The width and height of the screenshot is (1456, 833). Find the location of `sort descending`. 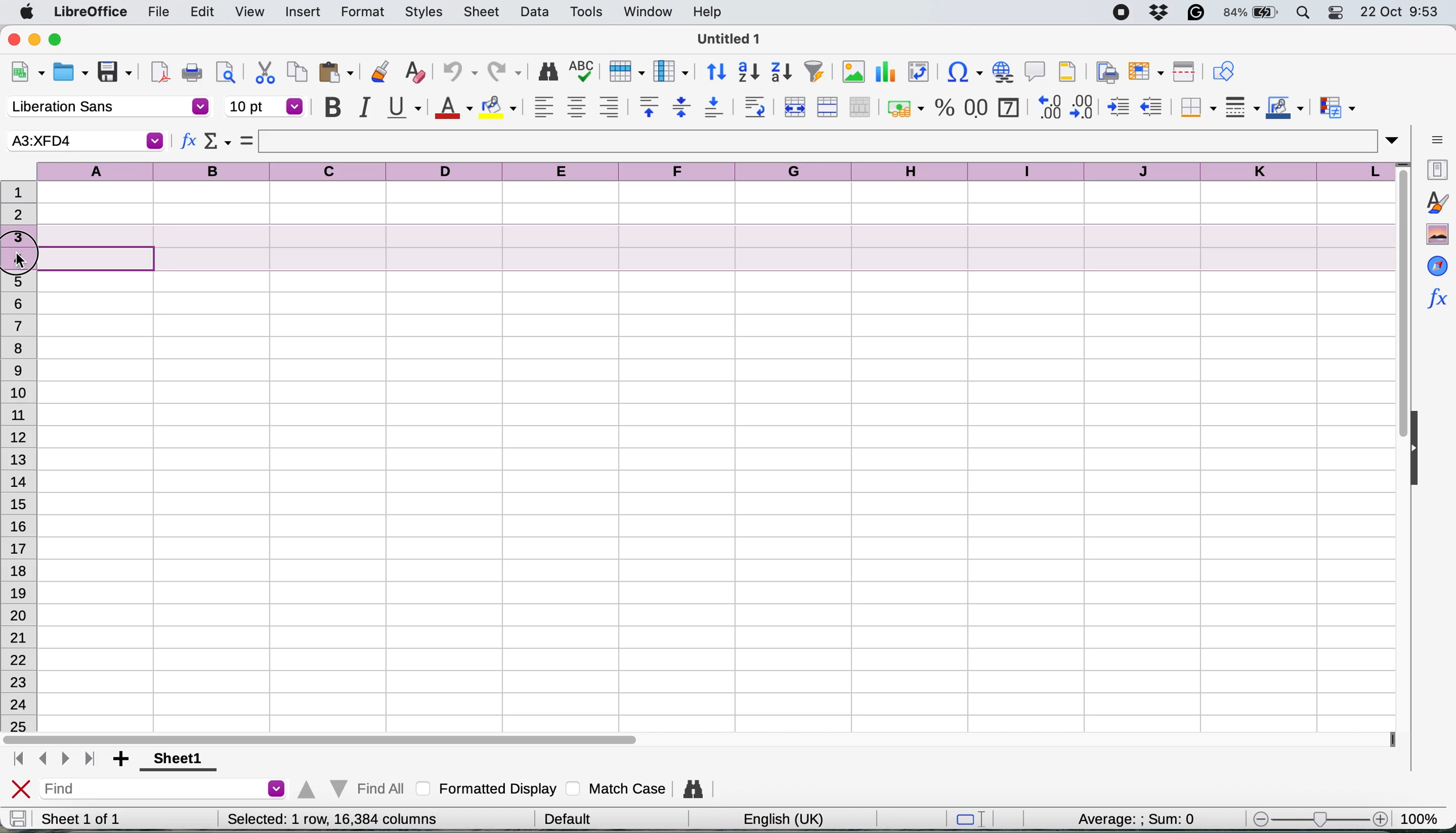

sort descending is located at coordinates (782, 73).